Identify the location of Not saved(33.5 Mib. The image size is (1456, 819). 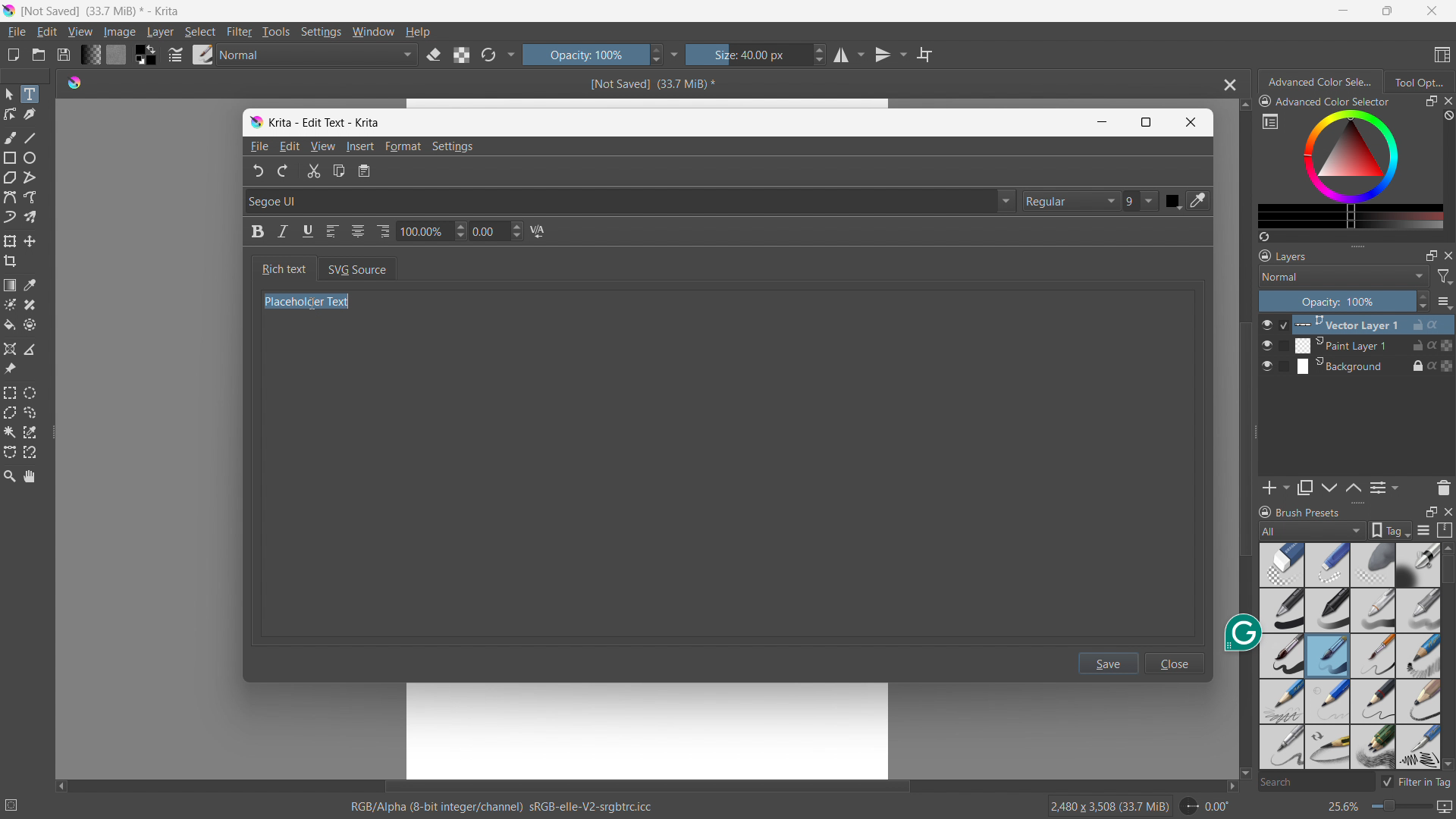
(648, 83).